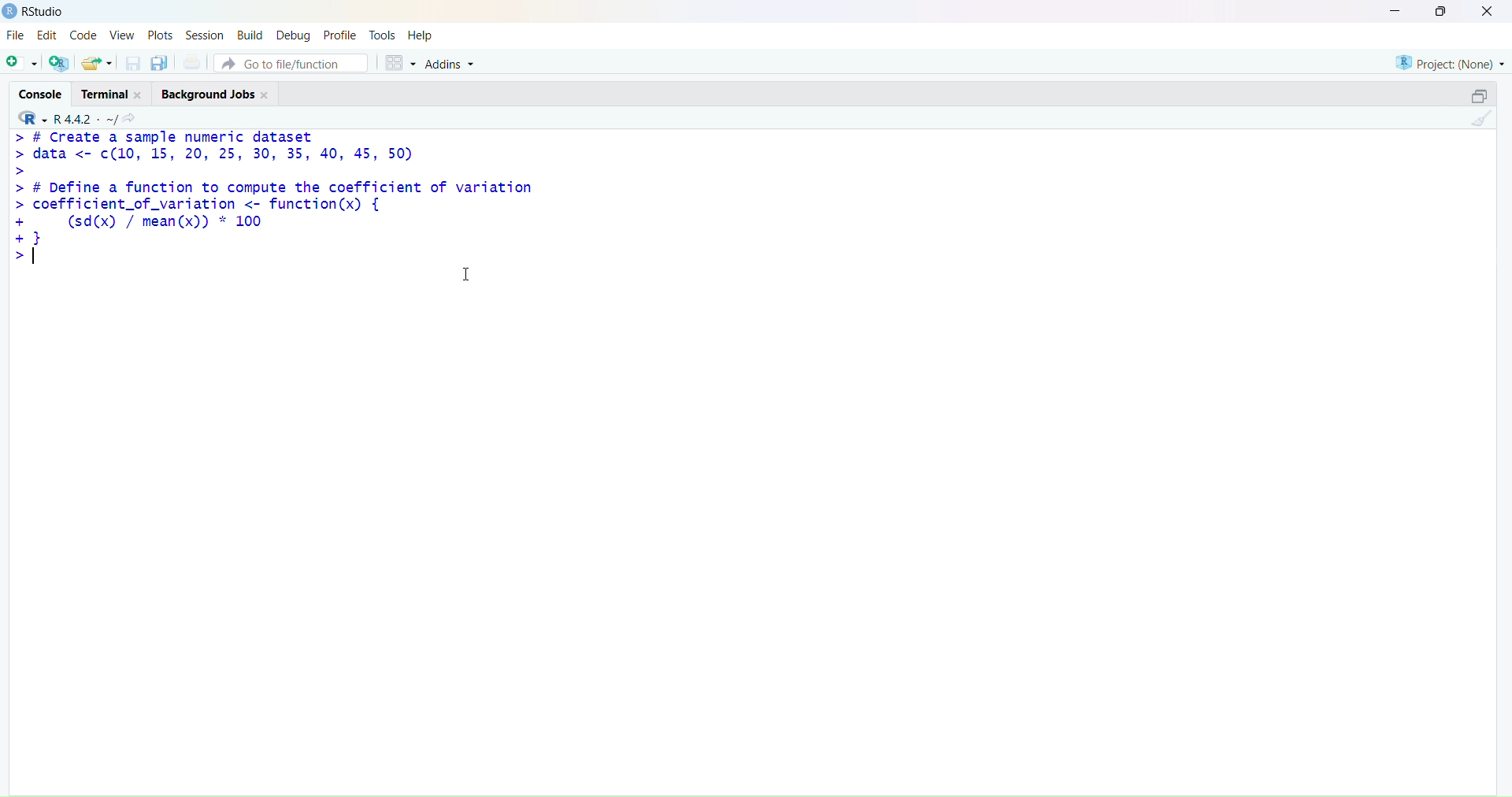  What do you see at coordinates (466, 273) in the screenshot?
I see `cursor` at bounding box center [466, 273].